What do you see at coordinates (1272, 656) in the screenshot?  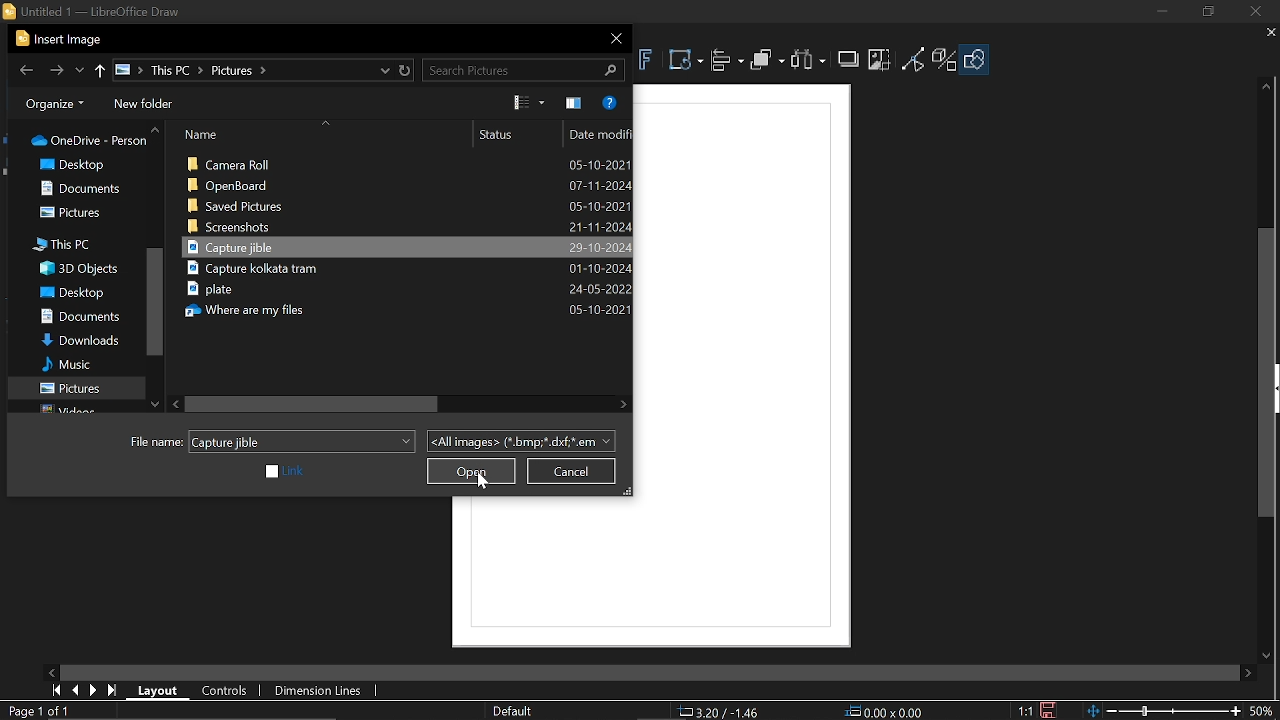 I see `move down` at bounding box center [1272, 656].